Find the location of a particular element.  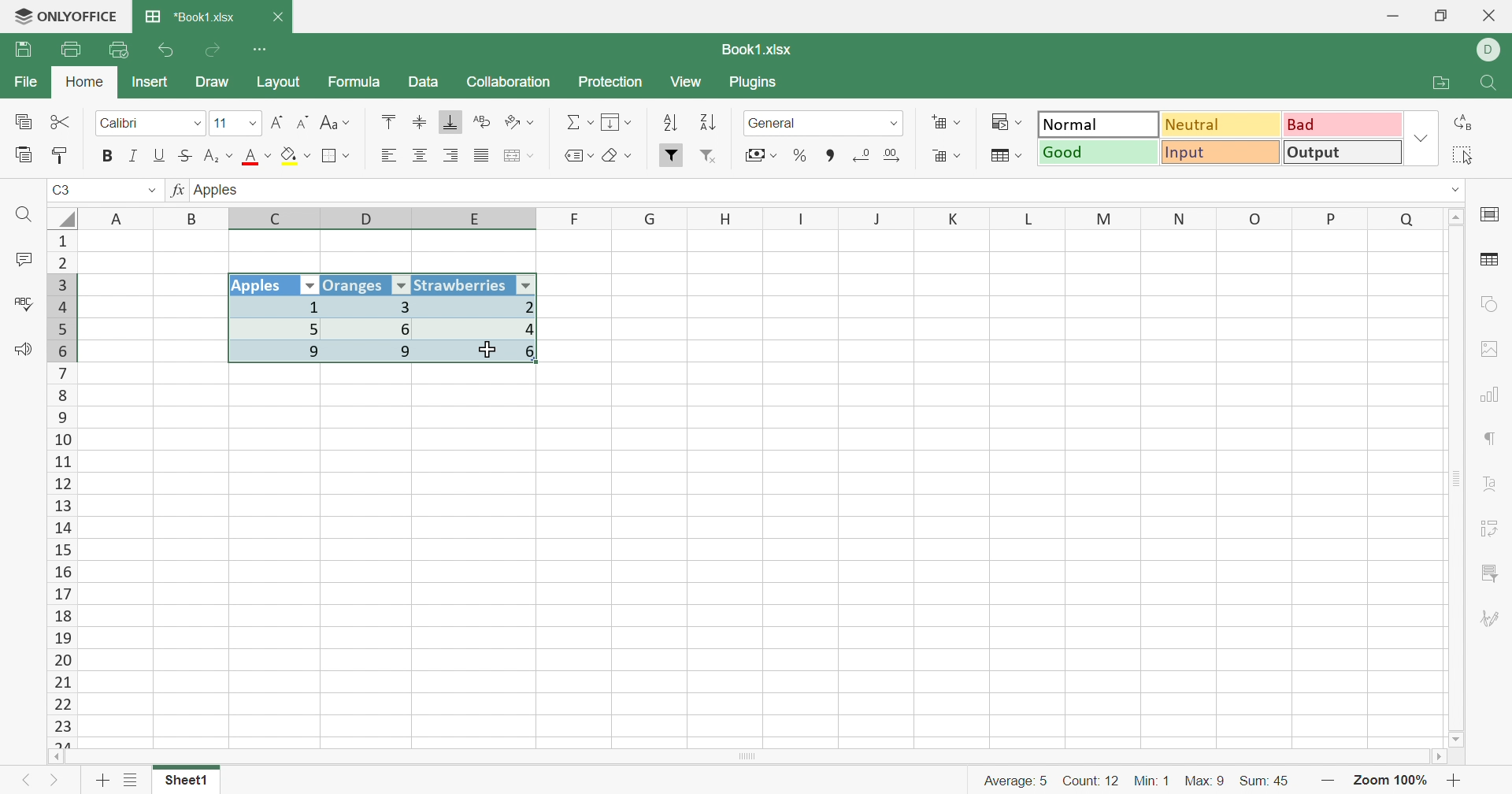

Oranges is located at coordinates (355, 284).